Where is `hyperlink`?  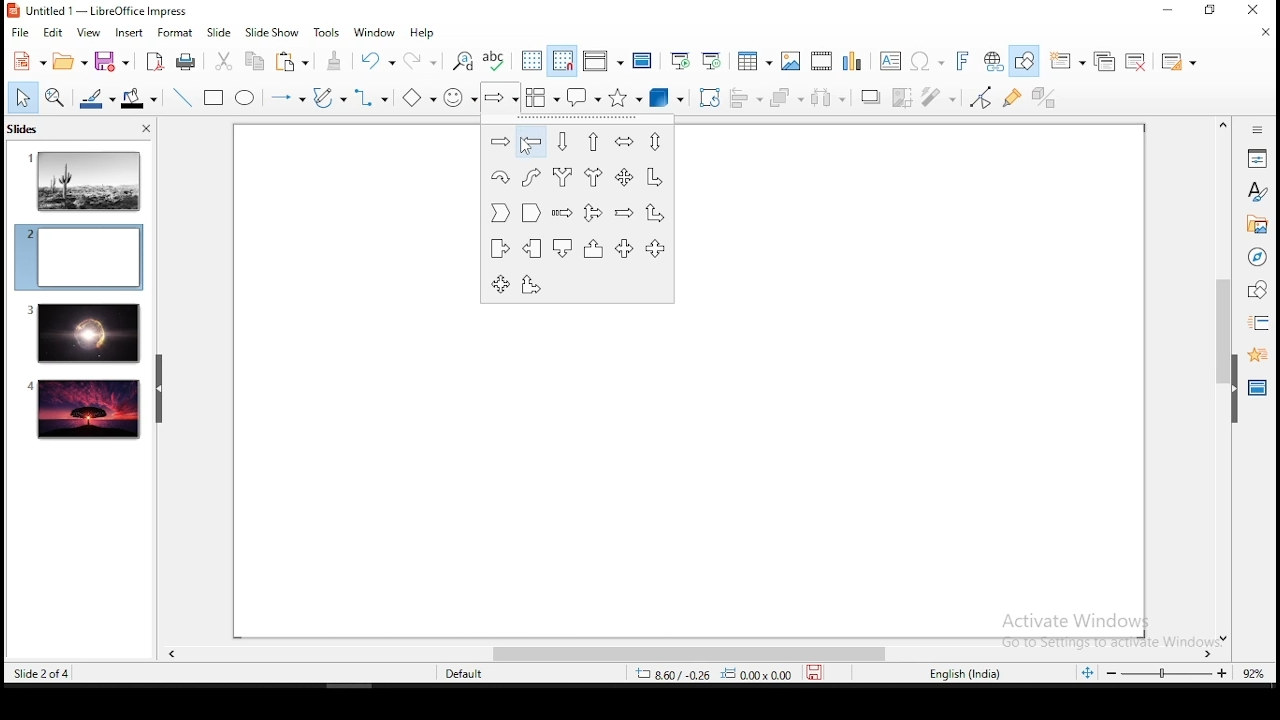
hyperlink is located at coordinates (994, 62).